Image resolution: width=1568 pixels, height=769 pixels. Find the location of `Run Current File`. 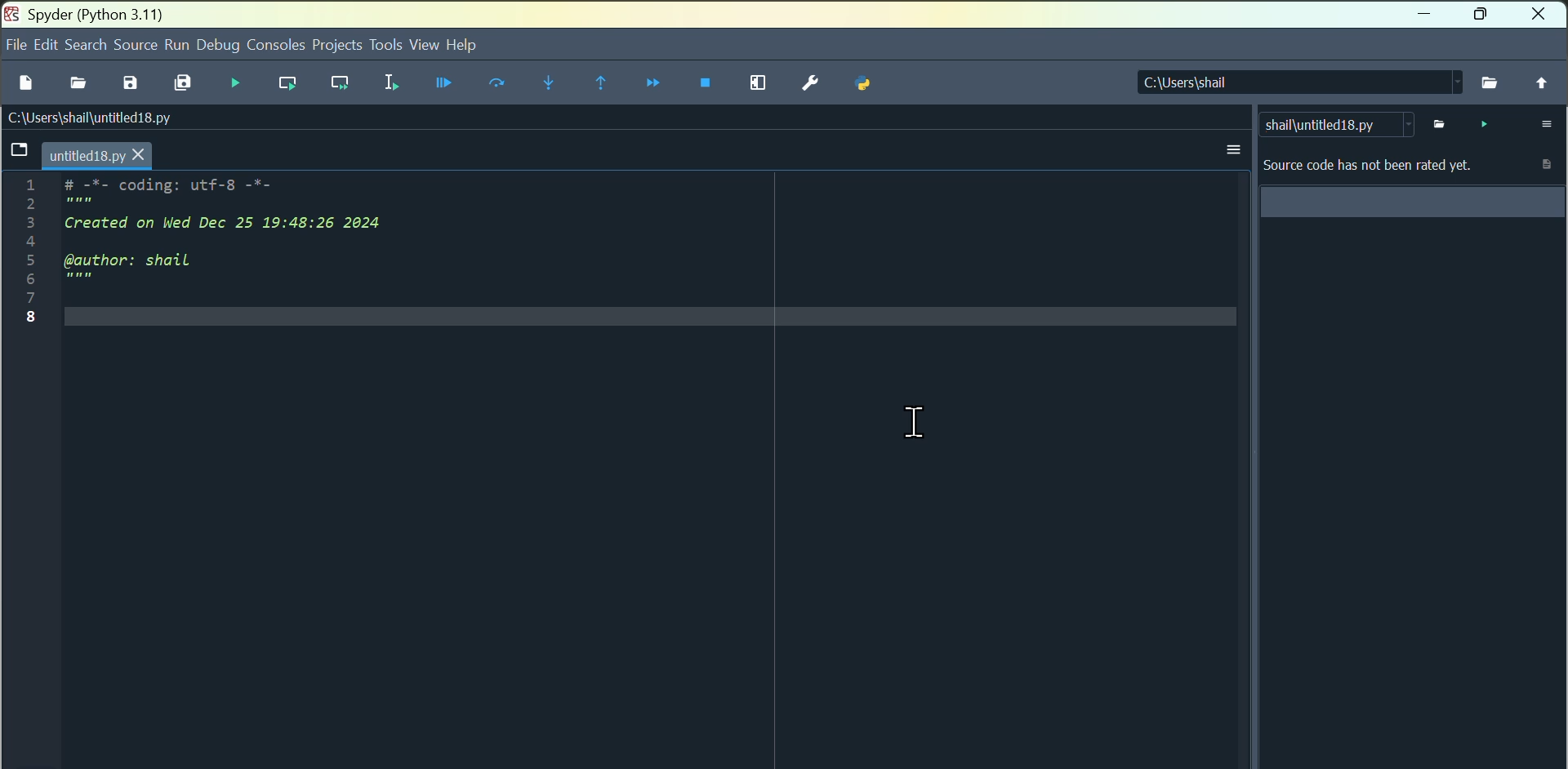

Run Current File is located at coordinates (497, 86).